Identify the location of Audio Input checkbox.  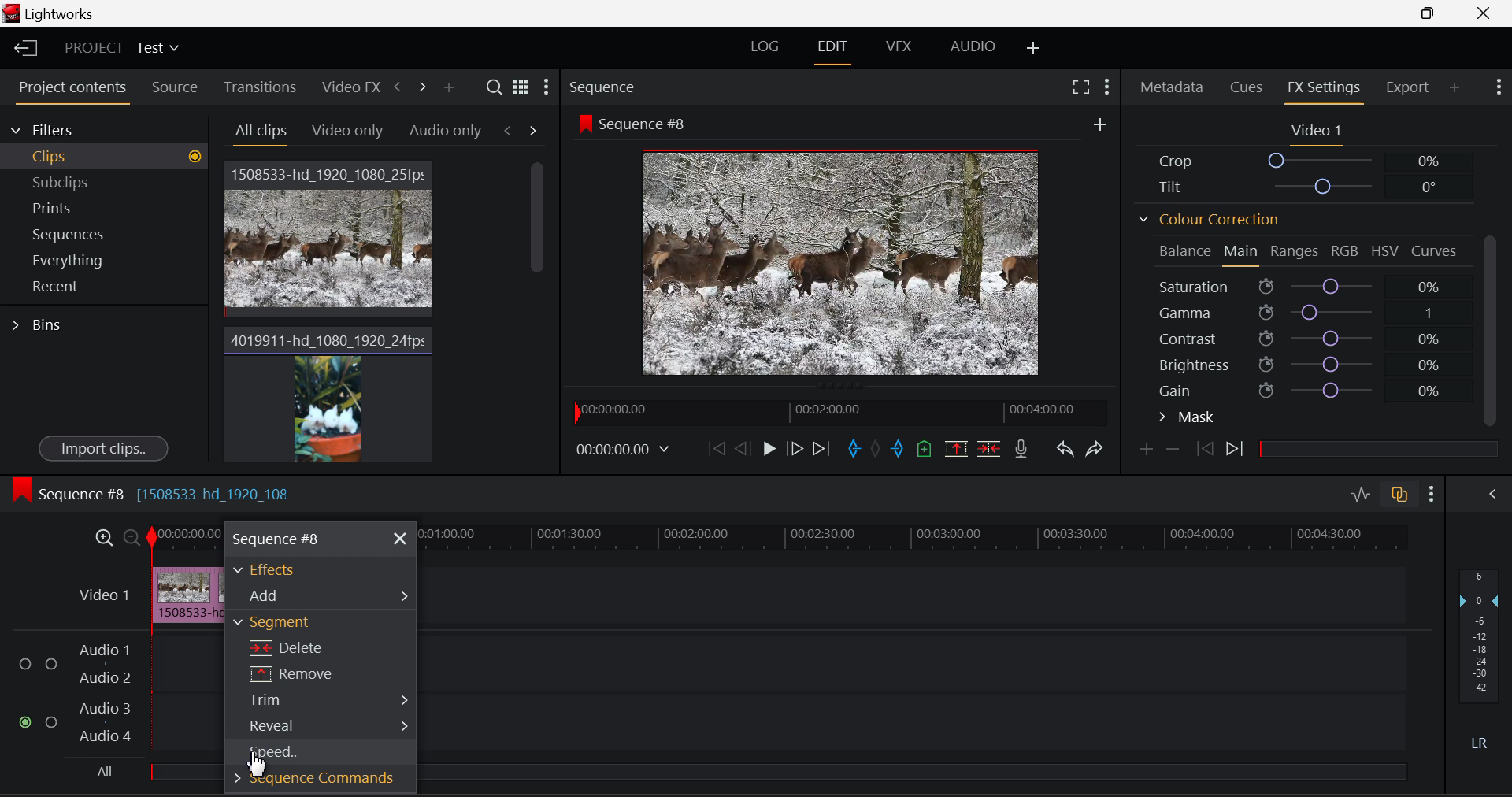
(24, 722).